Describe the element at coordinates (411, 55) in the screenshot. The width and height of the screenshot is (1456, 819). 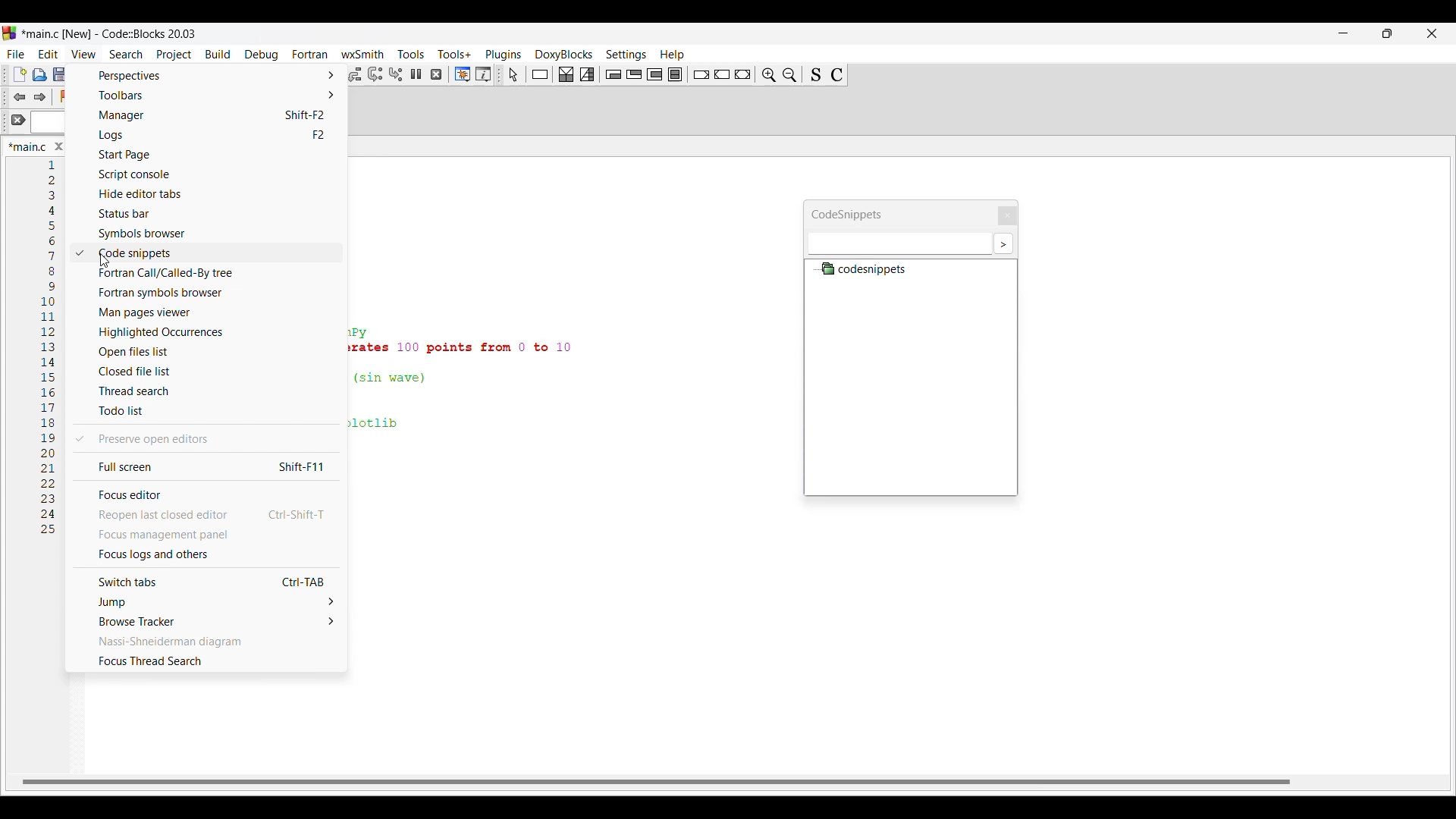
I see `Tools menu` at that location.